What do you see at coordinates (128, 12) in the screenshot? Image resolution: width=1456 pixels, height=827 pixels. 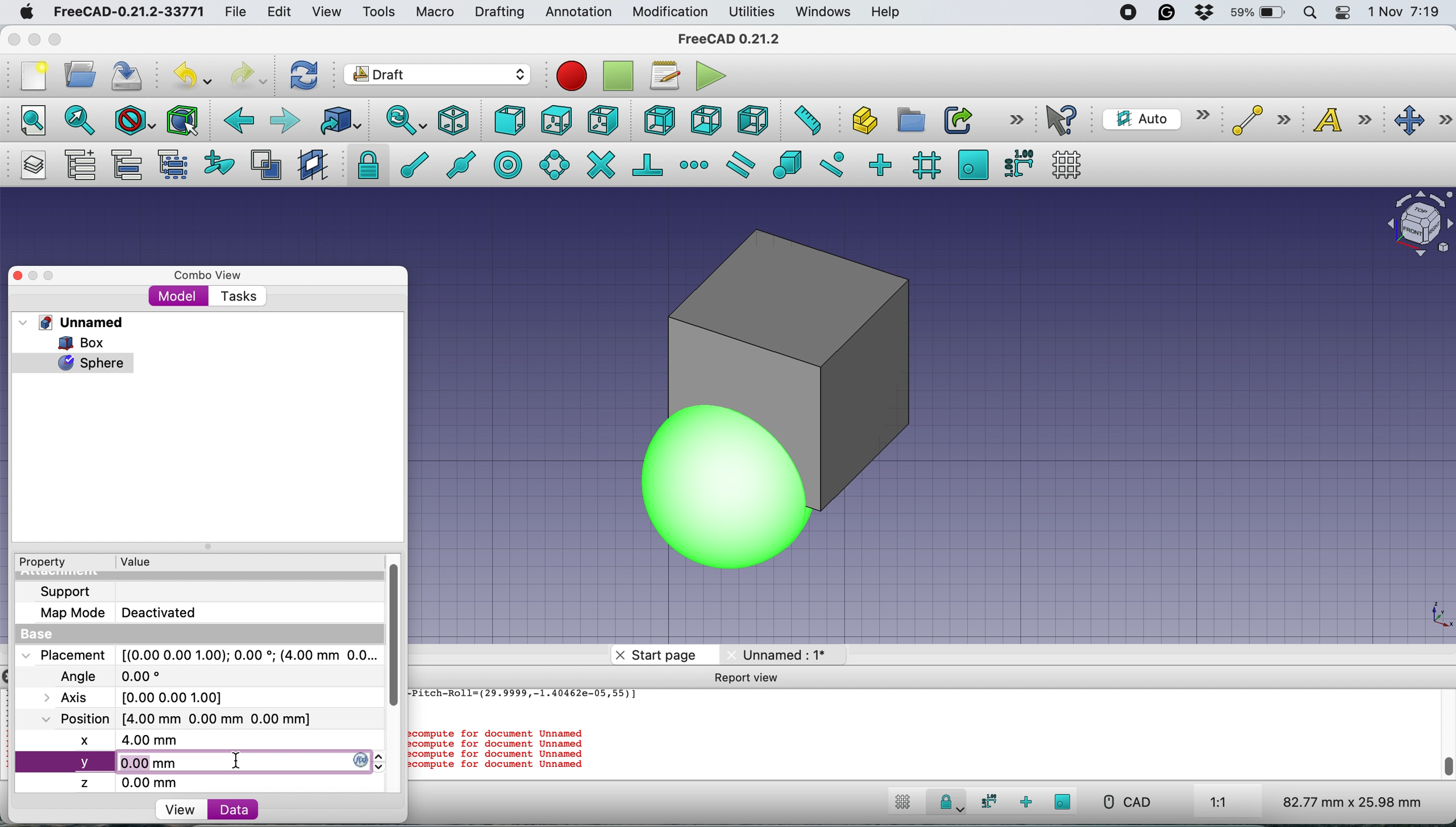 I see `freecad` at bounding box center [128, 12].